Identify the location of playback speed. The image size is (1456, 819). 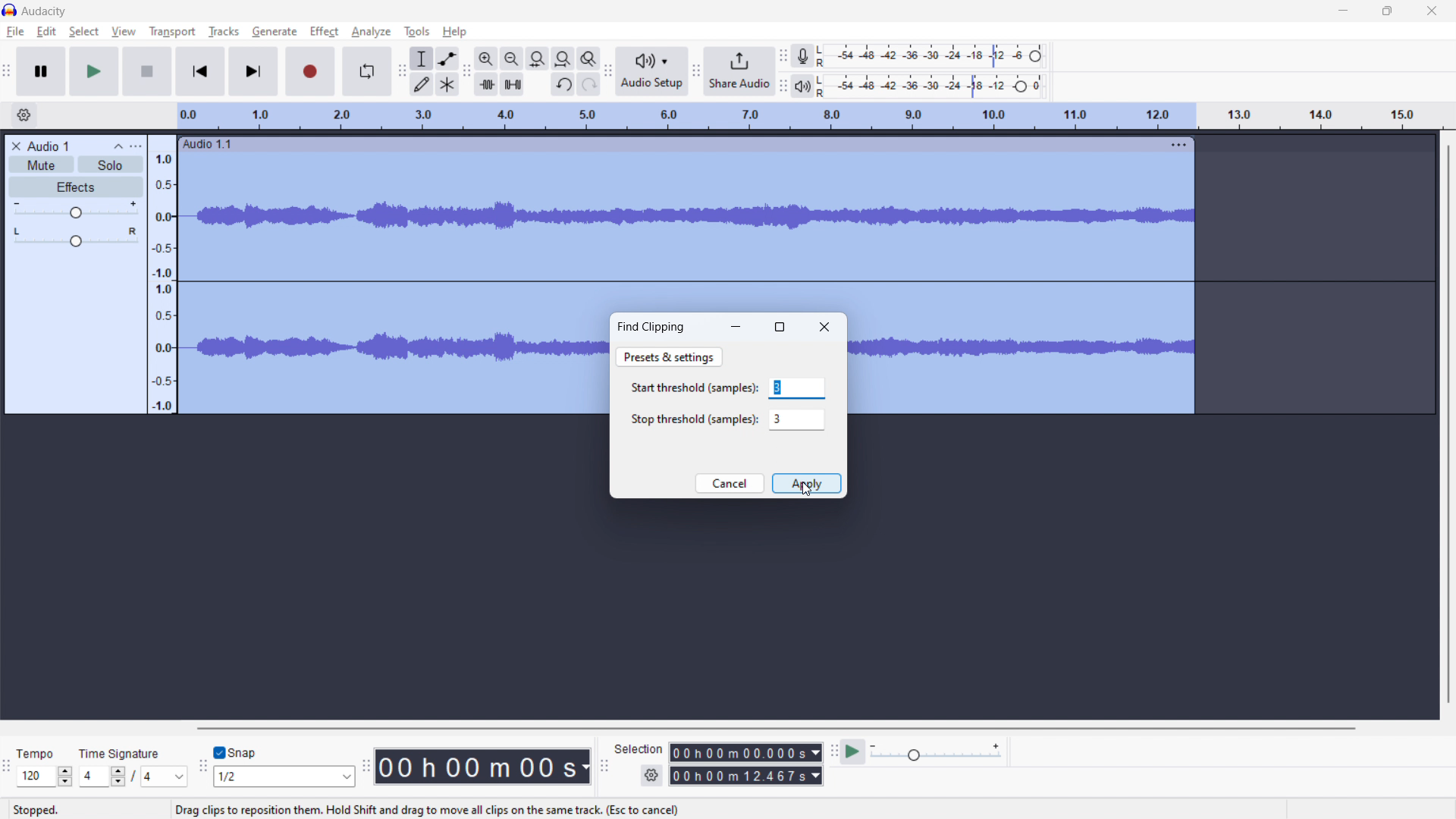
(937, 753).